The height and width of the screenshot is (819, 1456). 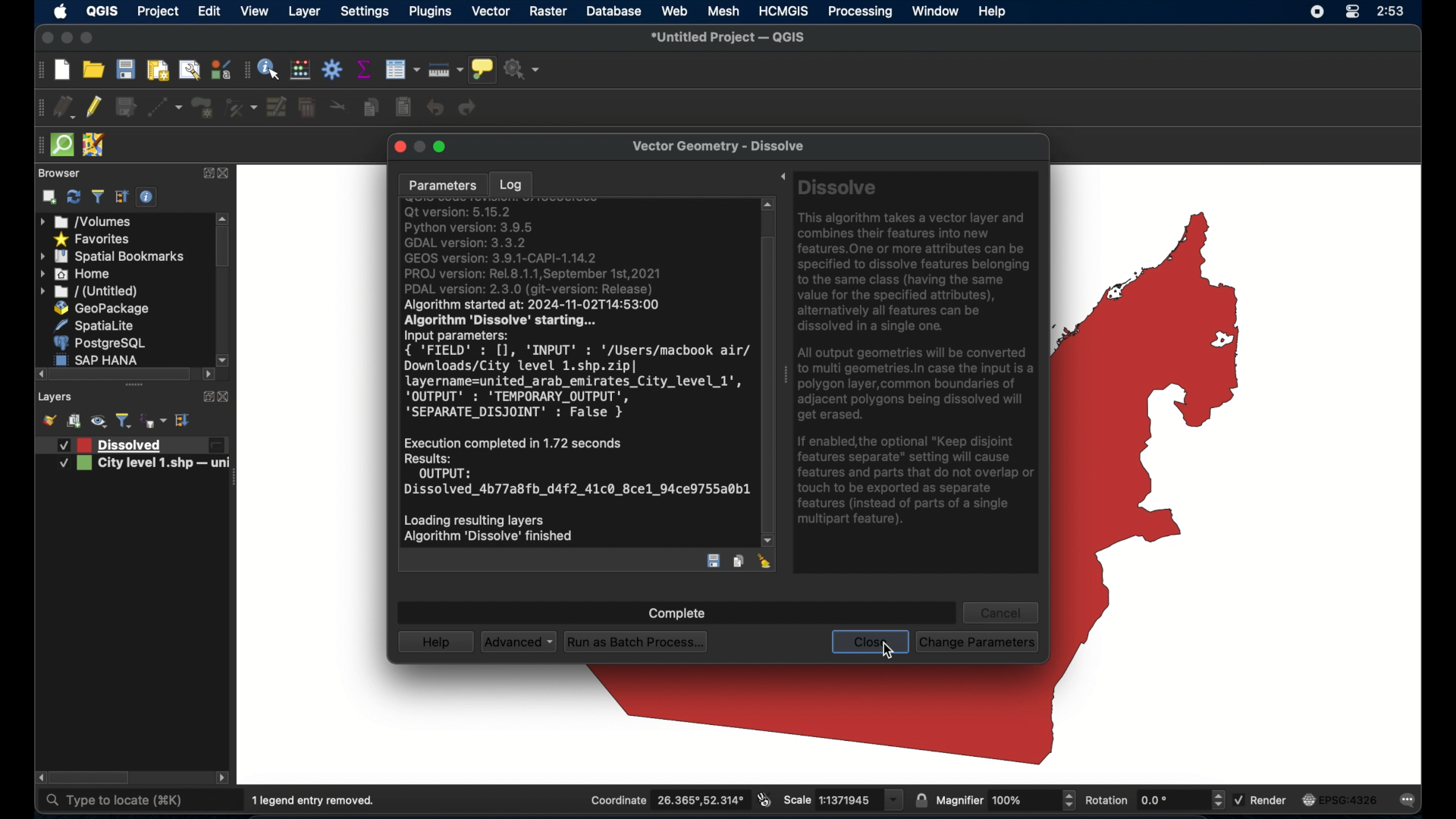 I want to click on open attribute table, so click(x=402, y=69).